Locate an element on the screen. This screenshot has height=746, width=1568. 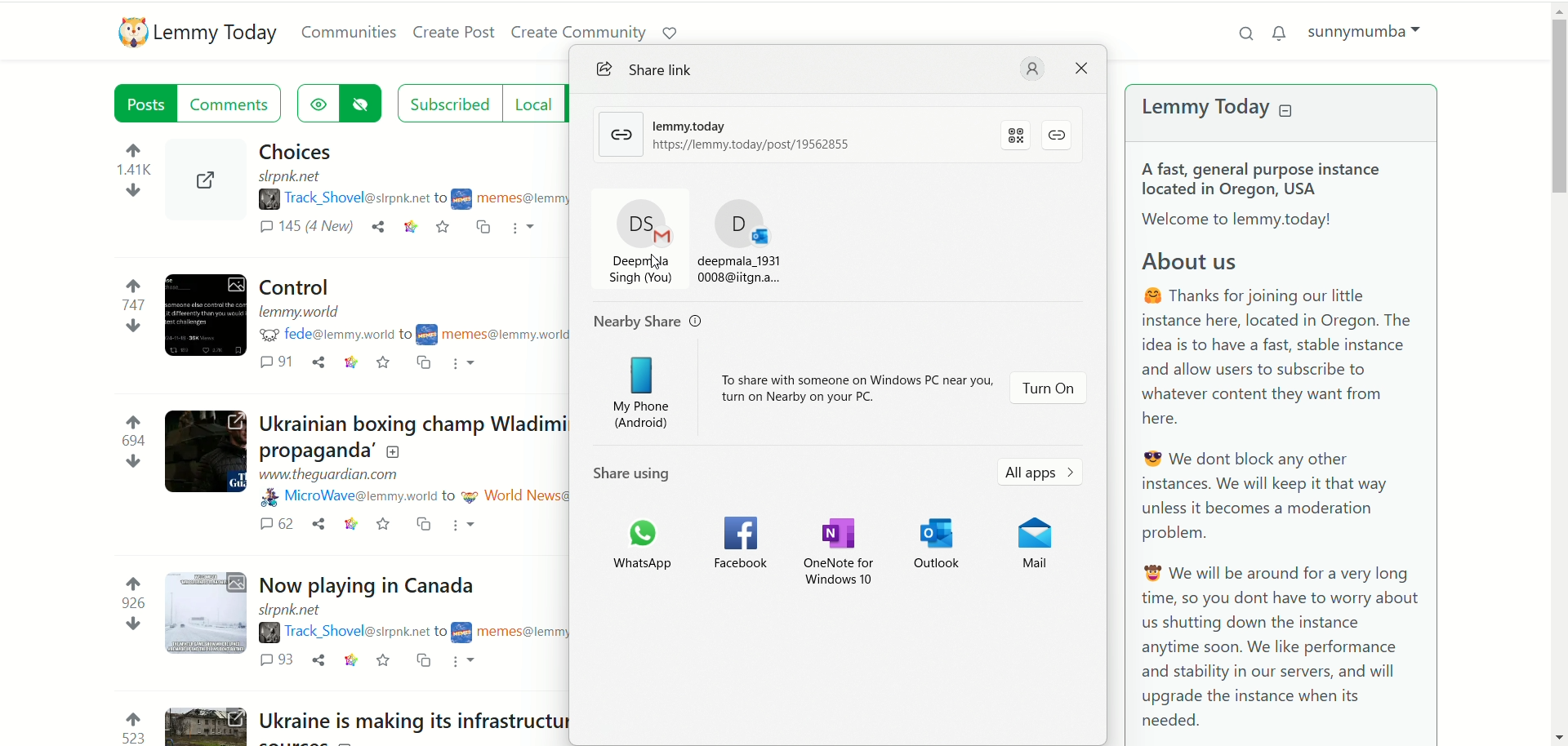
more is located at coordinates (523, 231).